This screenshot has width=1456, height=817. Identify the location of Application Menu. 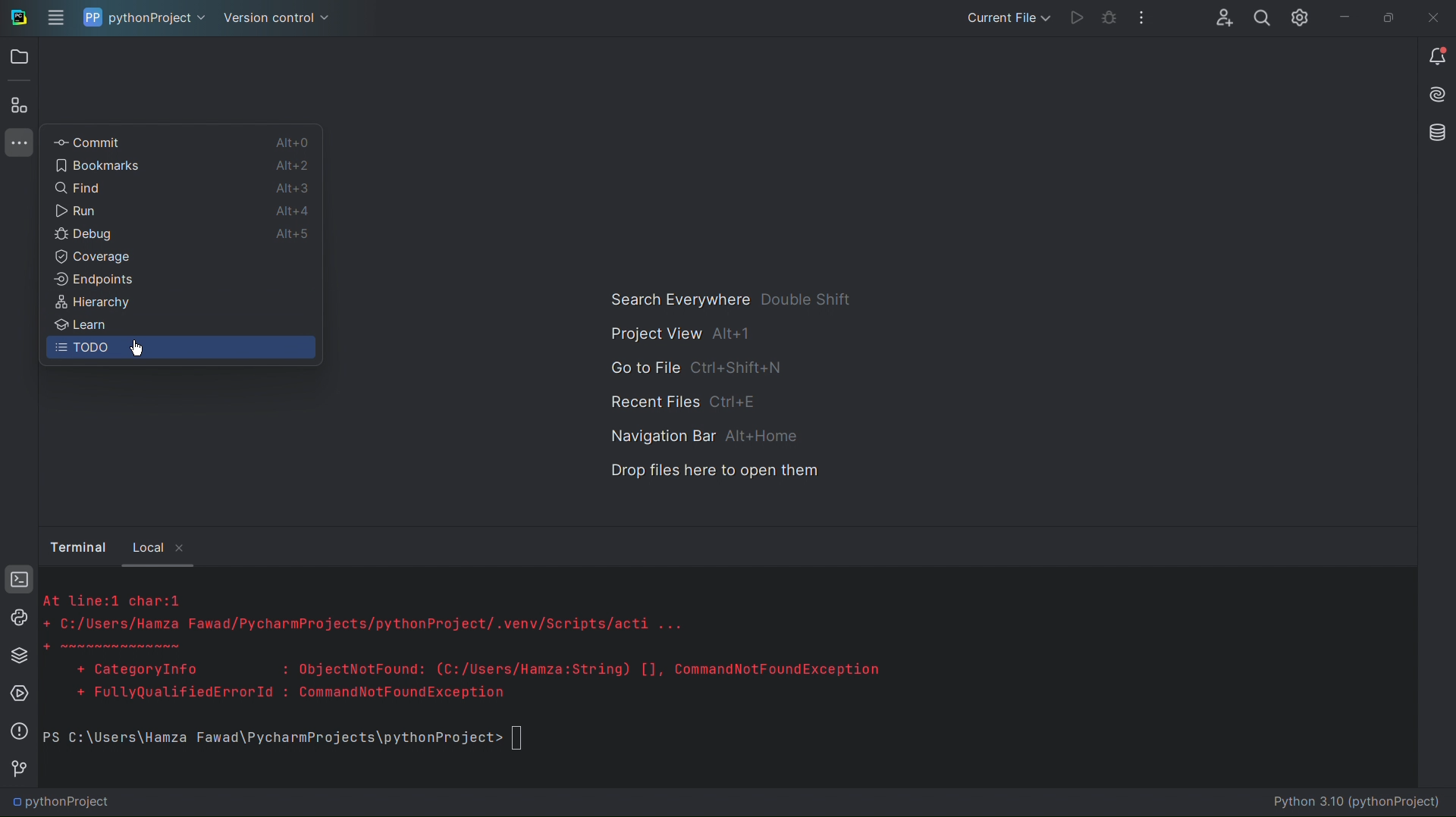
(54, 17).